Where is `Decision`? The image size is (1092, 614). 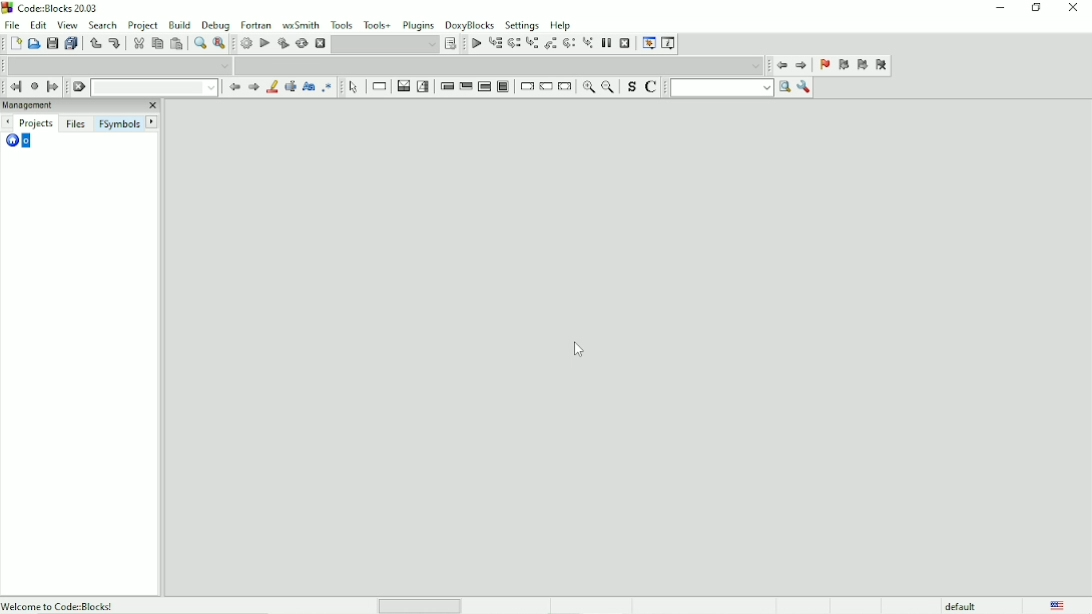
Decision is located at coordinates (402, 86).